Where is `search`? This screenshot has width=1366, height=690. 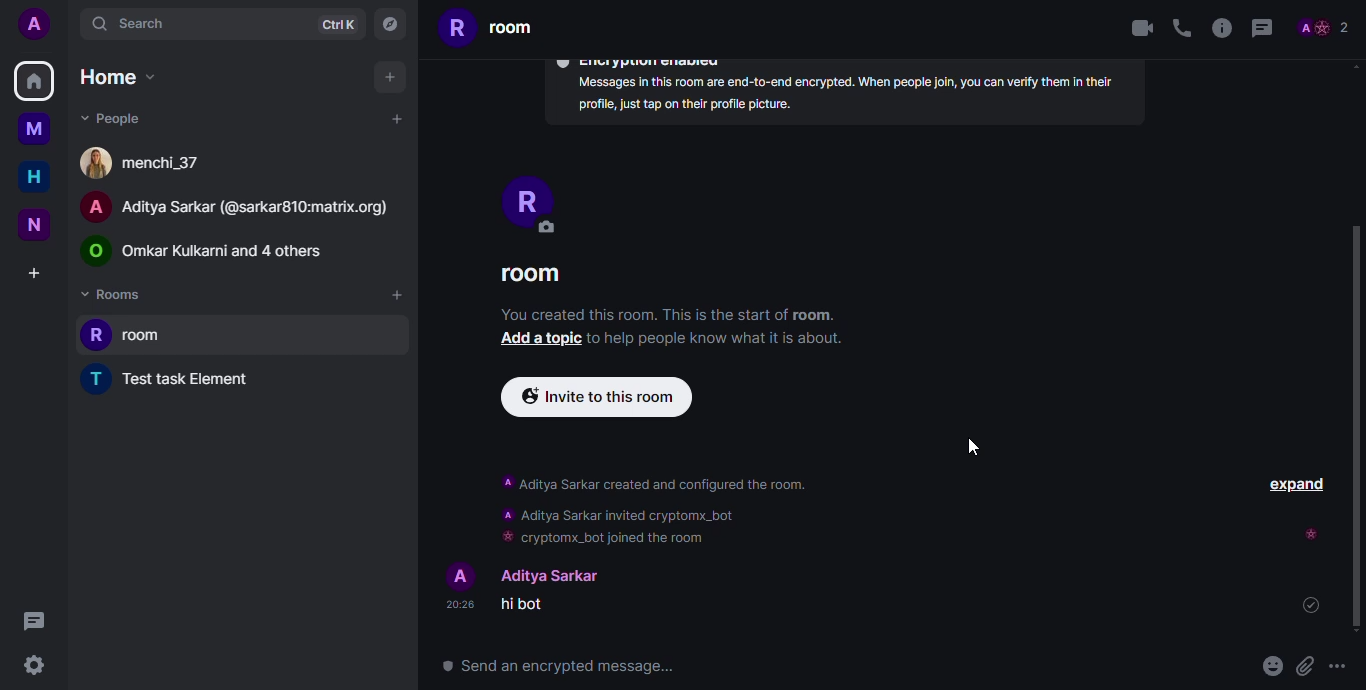 search is located at coordinates (131, 23).